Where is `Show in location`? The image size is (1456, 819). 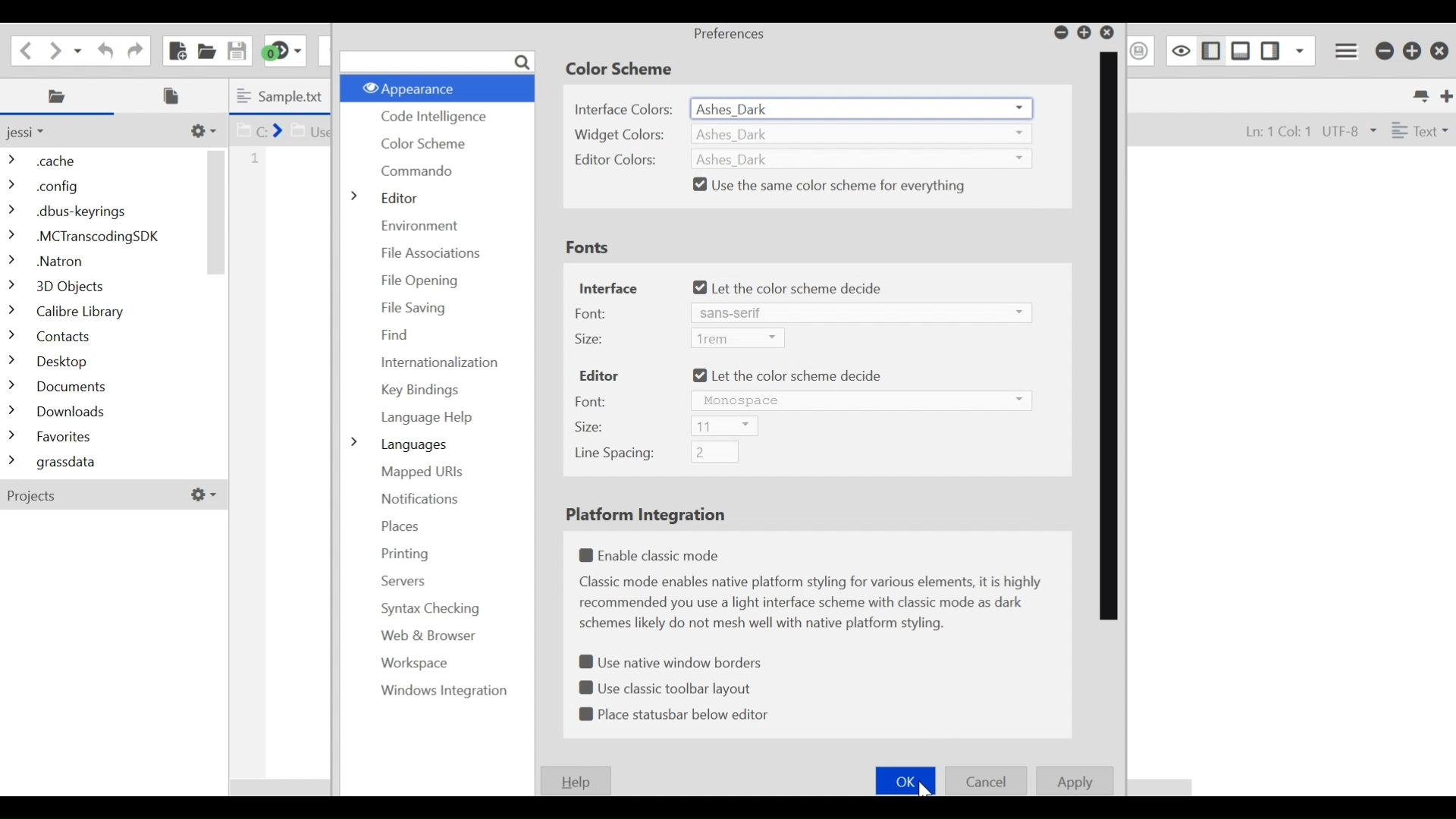
Show in location is located at coordinates (284, 129).